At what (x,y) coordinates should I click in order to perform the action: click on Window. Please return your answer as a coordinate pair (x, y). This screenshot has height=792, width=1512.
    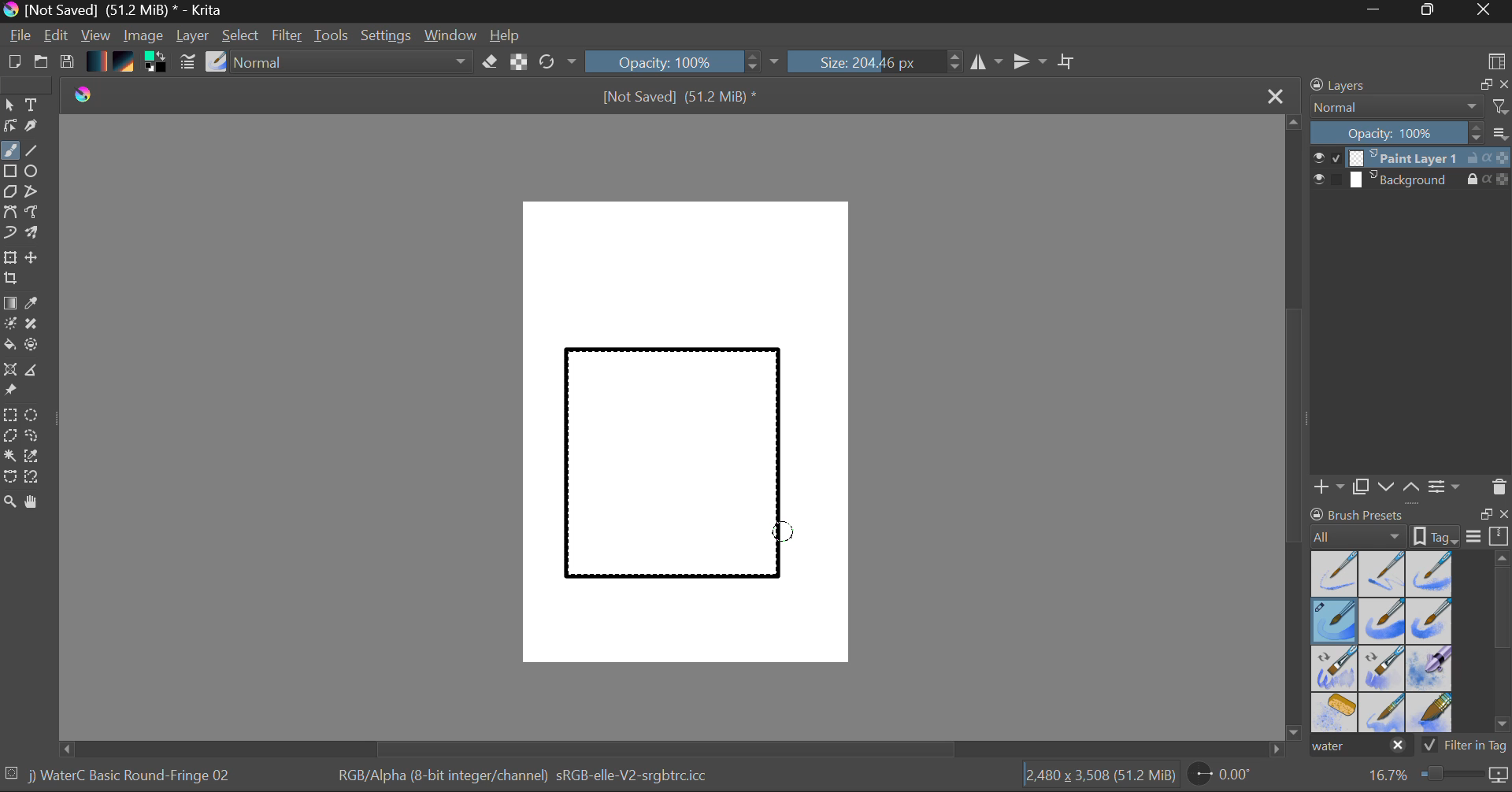
    Looking at the image, I should click on (453, 35).